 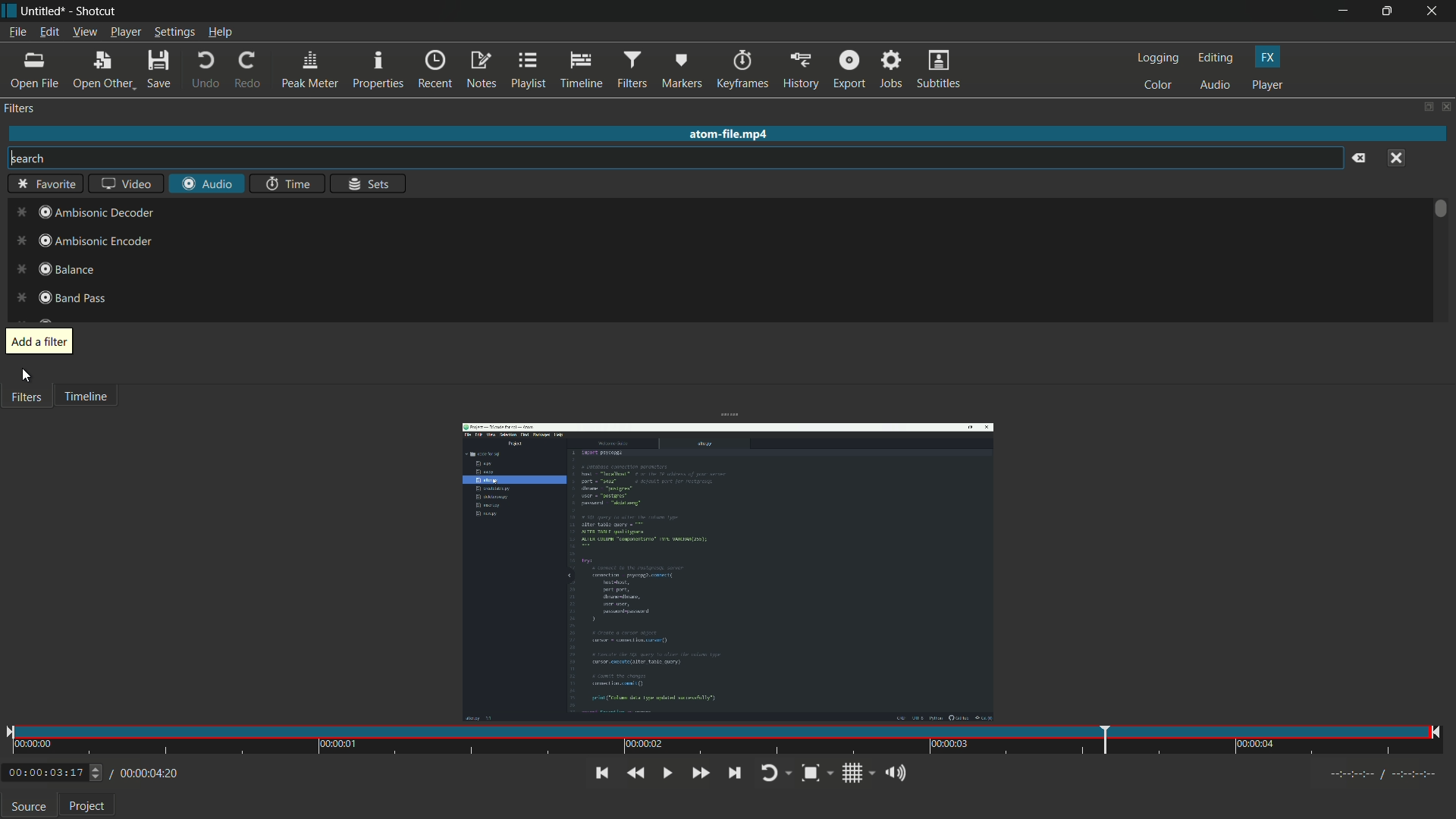 I want to click on fx, so click(x=1267, y=58).